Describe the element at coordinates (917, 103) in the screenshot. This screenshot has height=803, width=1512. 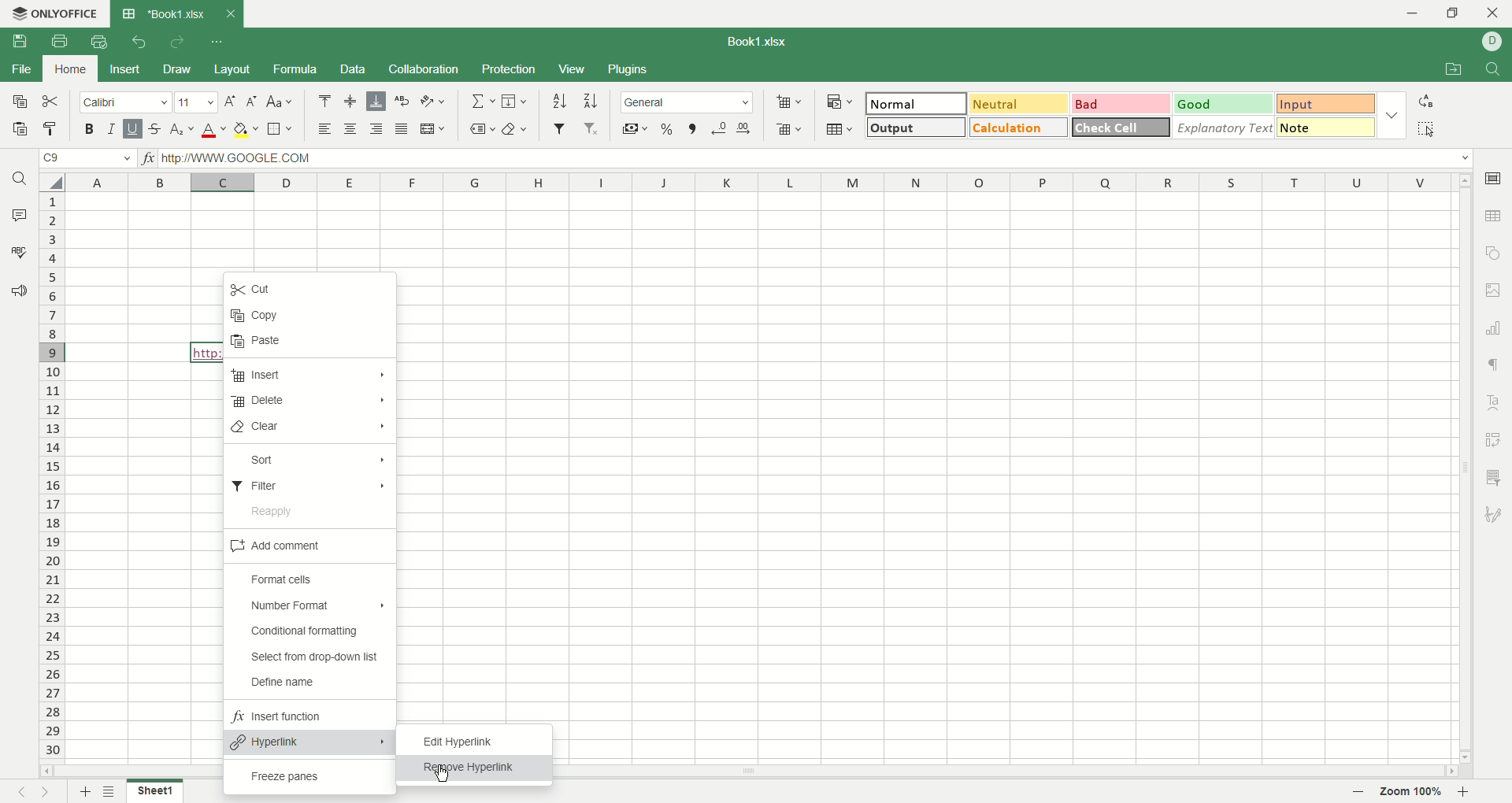
I see `normal` at that location.